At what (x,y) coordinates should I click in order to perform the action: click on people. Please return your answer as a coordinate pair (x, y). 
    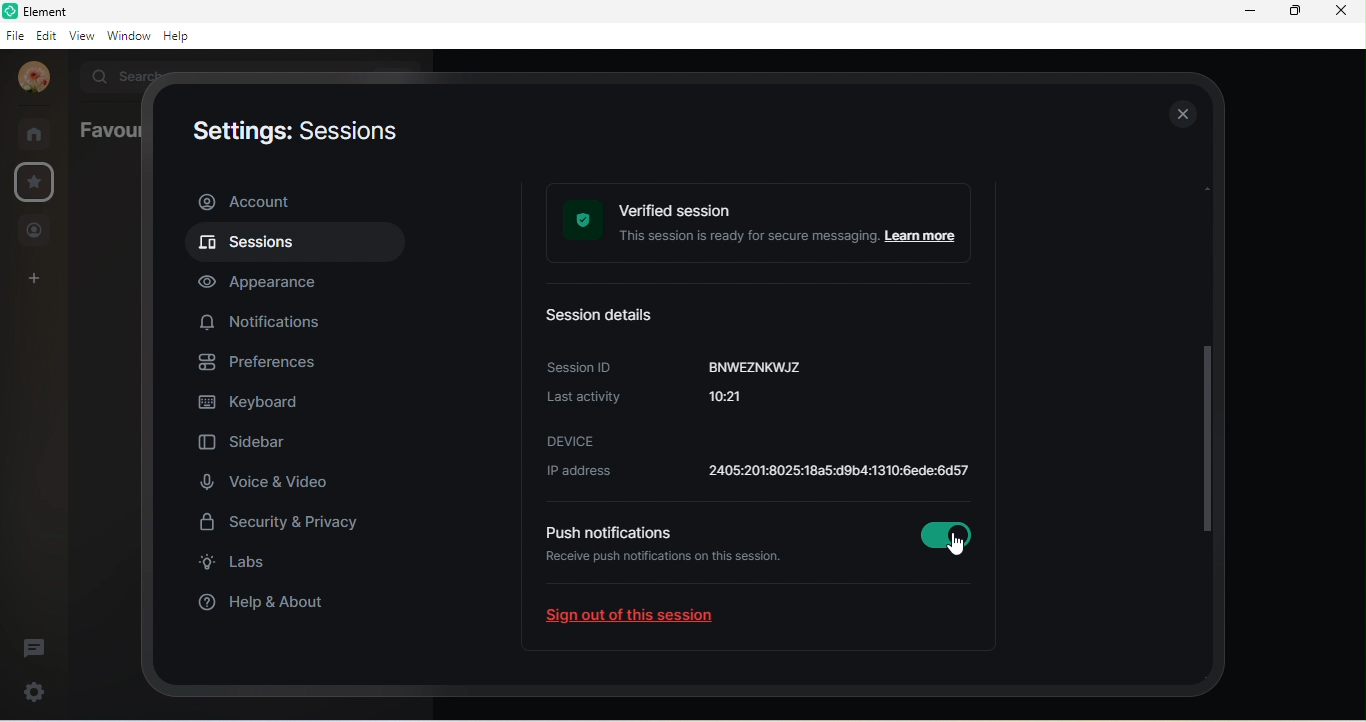
    Looking at the image, I should click on (35, 232).